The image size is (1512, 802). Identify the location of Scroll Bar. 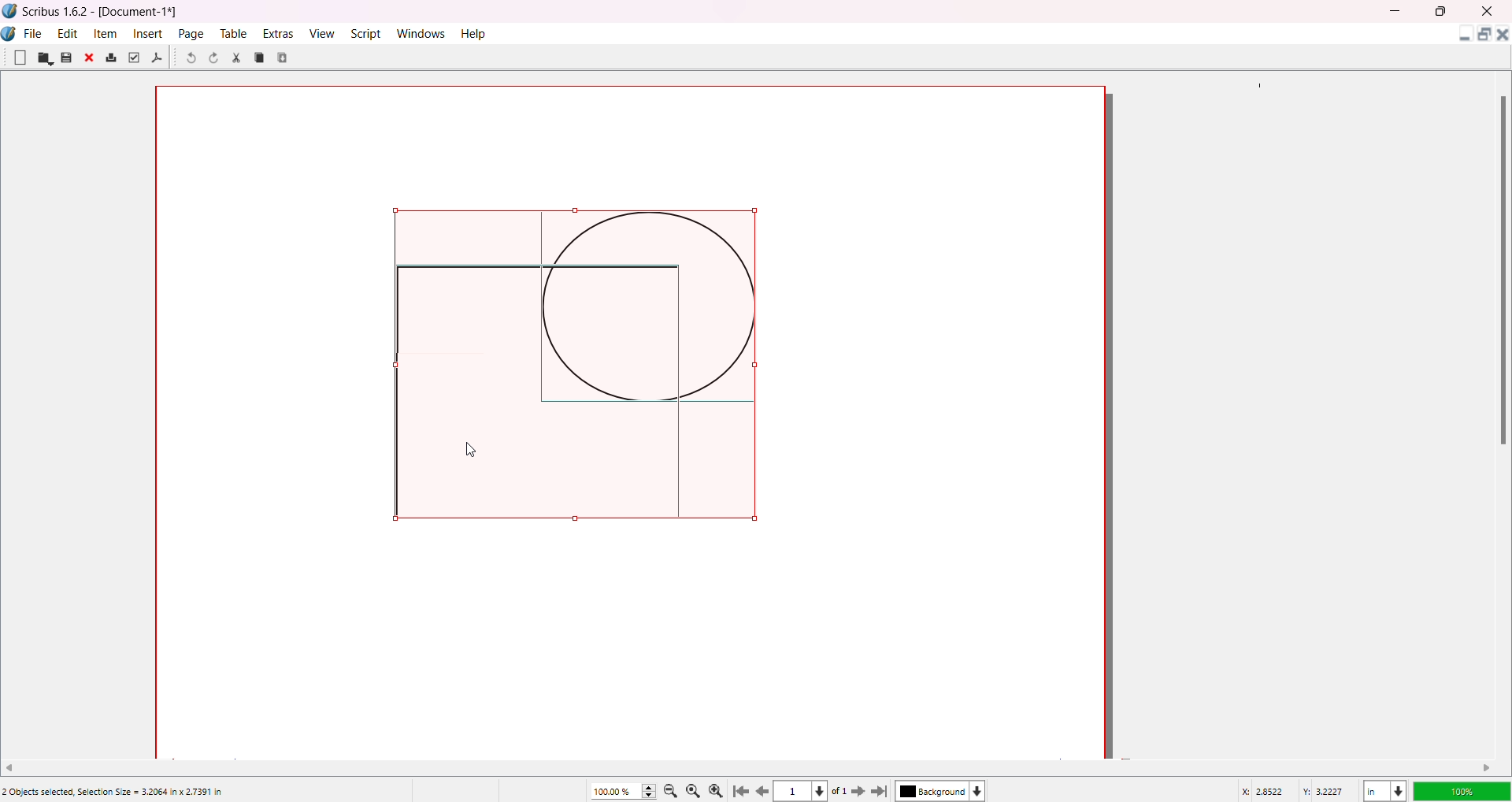
(1499, 269).